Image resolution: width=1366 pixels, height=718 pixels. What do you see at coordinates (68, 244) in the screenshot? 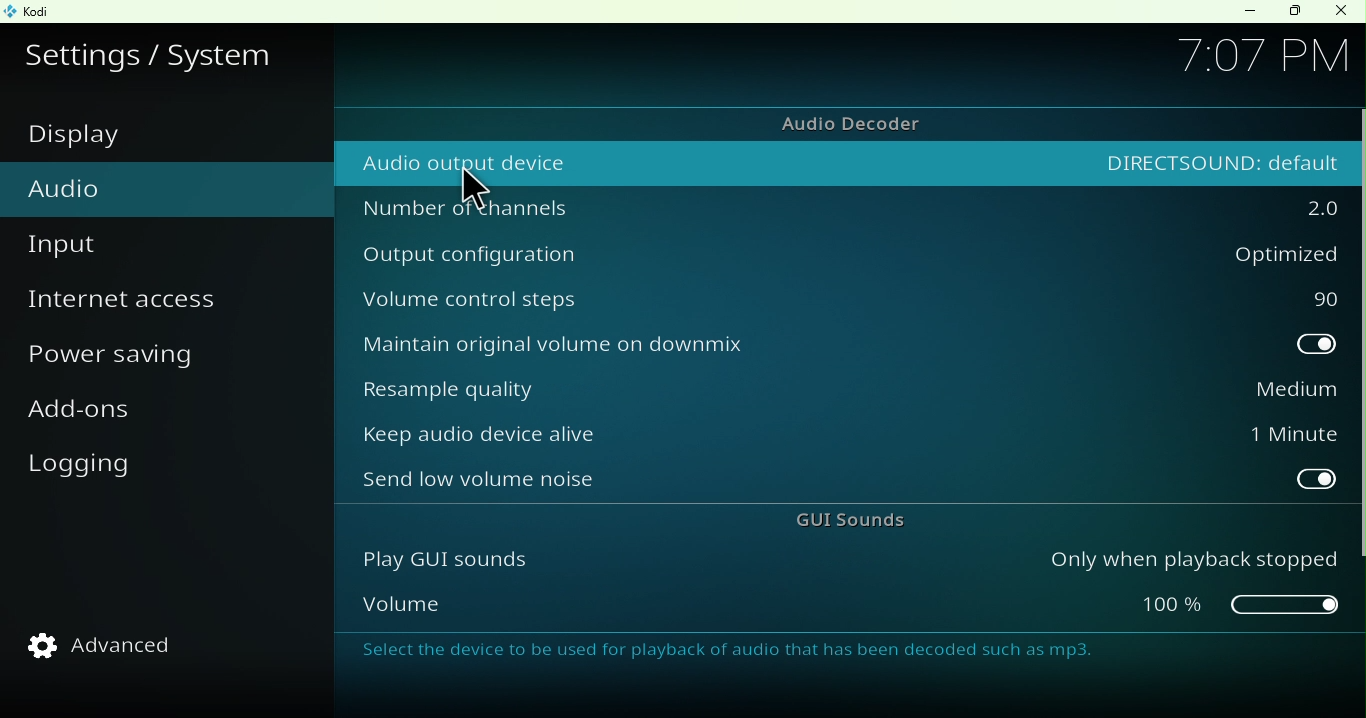
I see `Input` at bounding box center [68, 244].